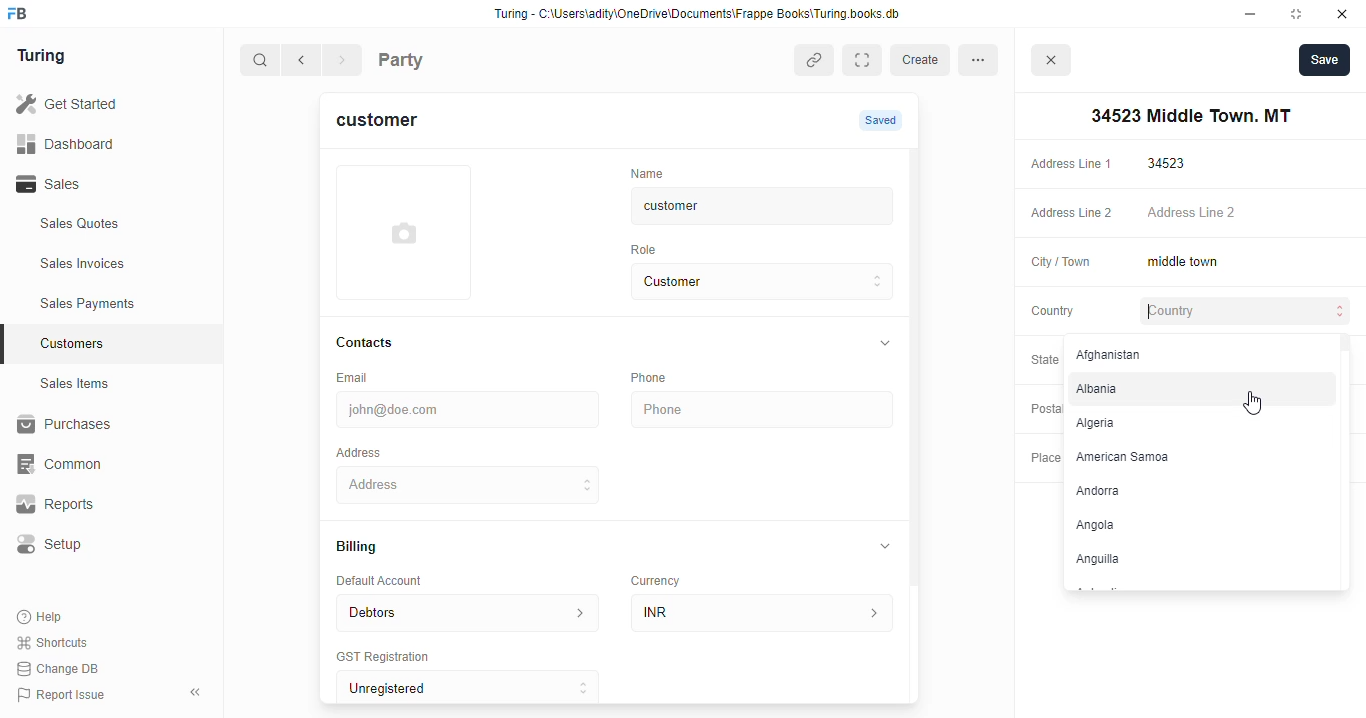 The width and height of the screenshot is (1366, 718). Describe the element at coordinates (1195, 459) in the screenshot. I see `American Samoa` at that location.